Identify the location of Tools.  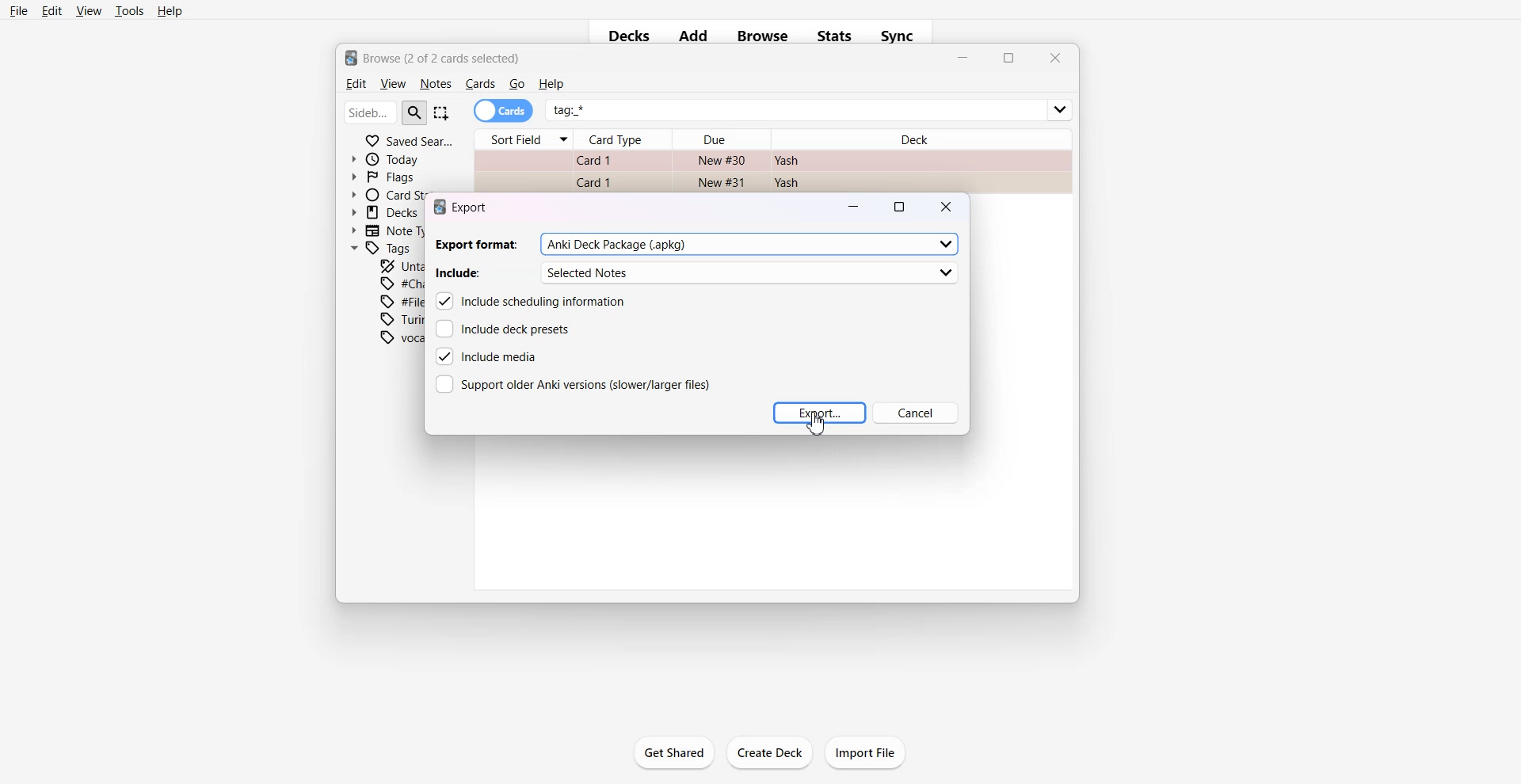
(129, 11).